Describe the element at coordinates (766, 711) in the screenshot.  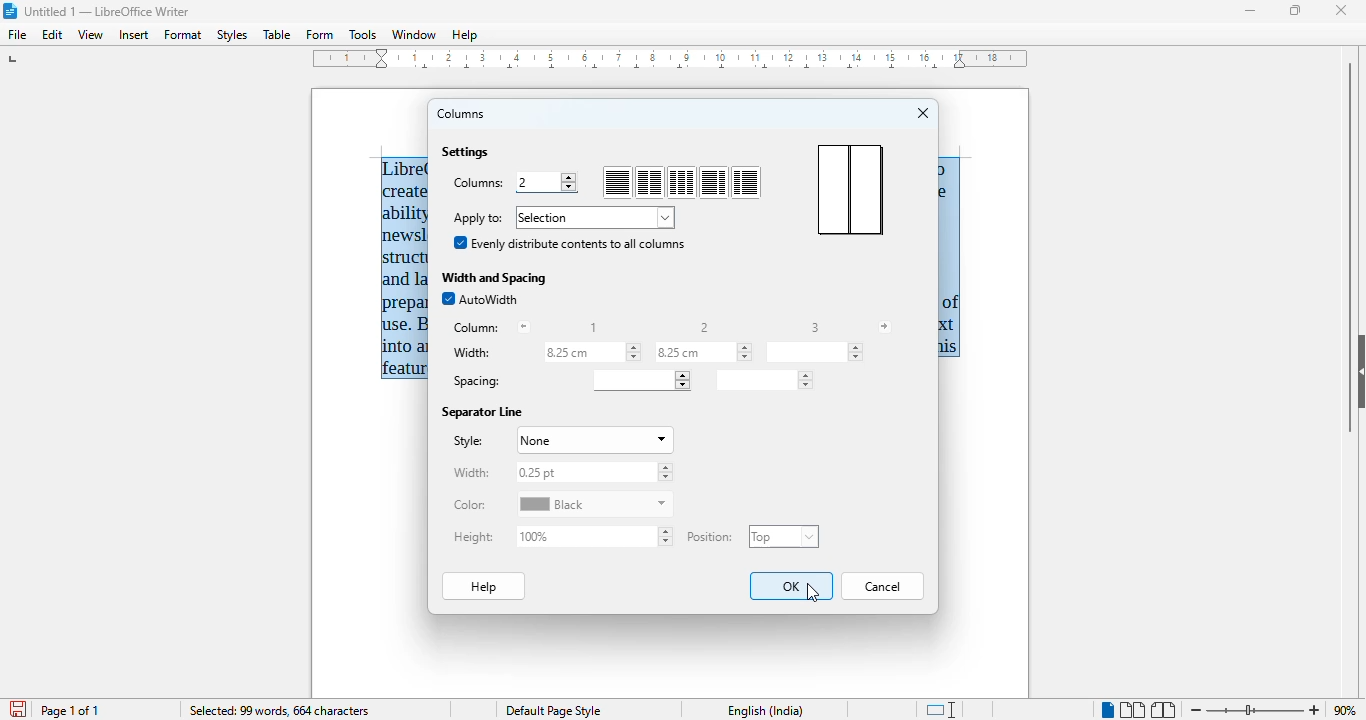
I see `English (India)` at that location.